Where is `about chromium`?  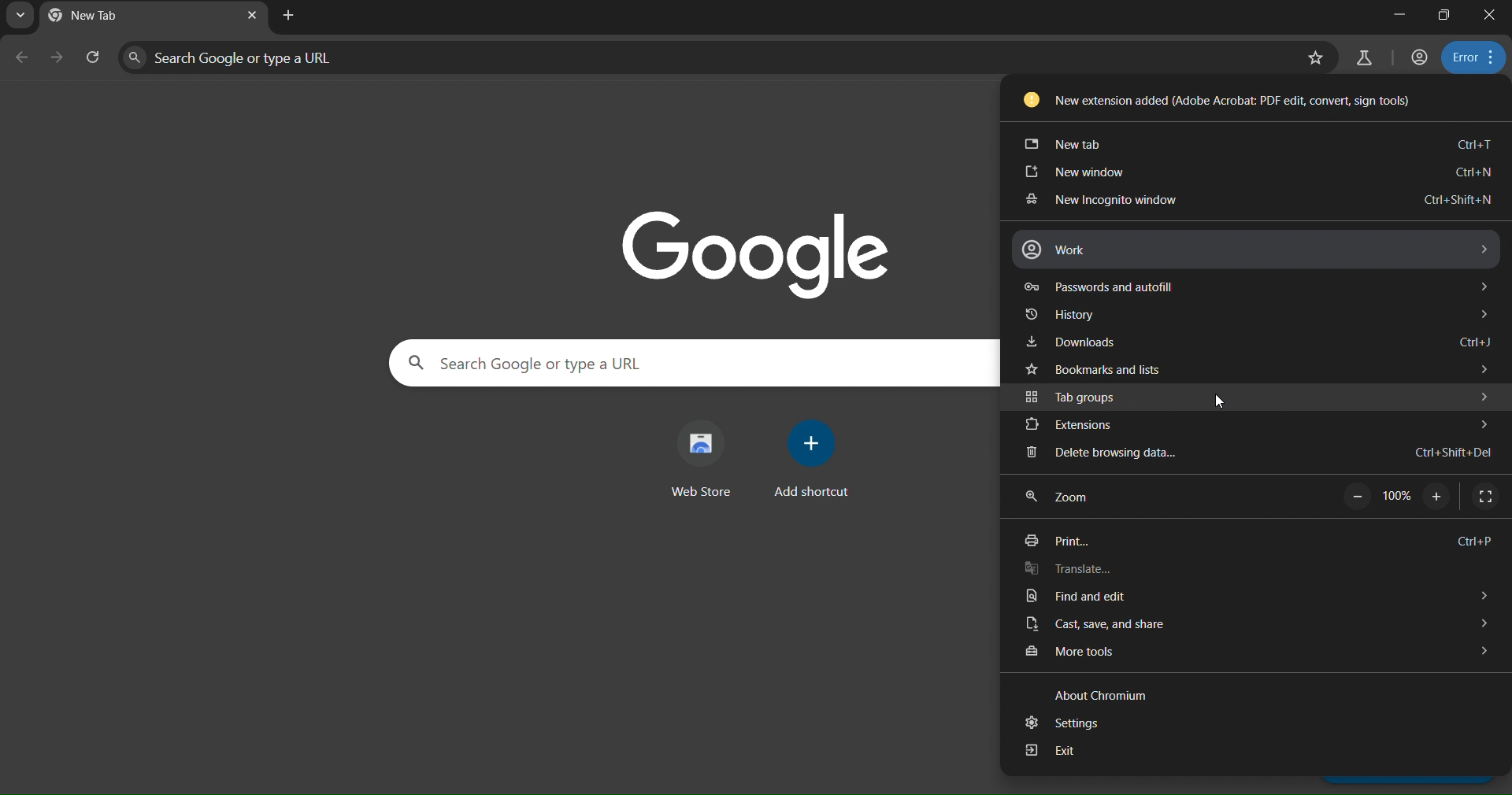
about chromium is located at coordinates (1093, 693).